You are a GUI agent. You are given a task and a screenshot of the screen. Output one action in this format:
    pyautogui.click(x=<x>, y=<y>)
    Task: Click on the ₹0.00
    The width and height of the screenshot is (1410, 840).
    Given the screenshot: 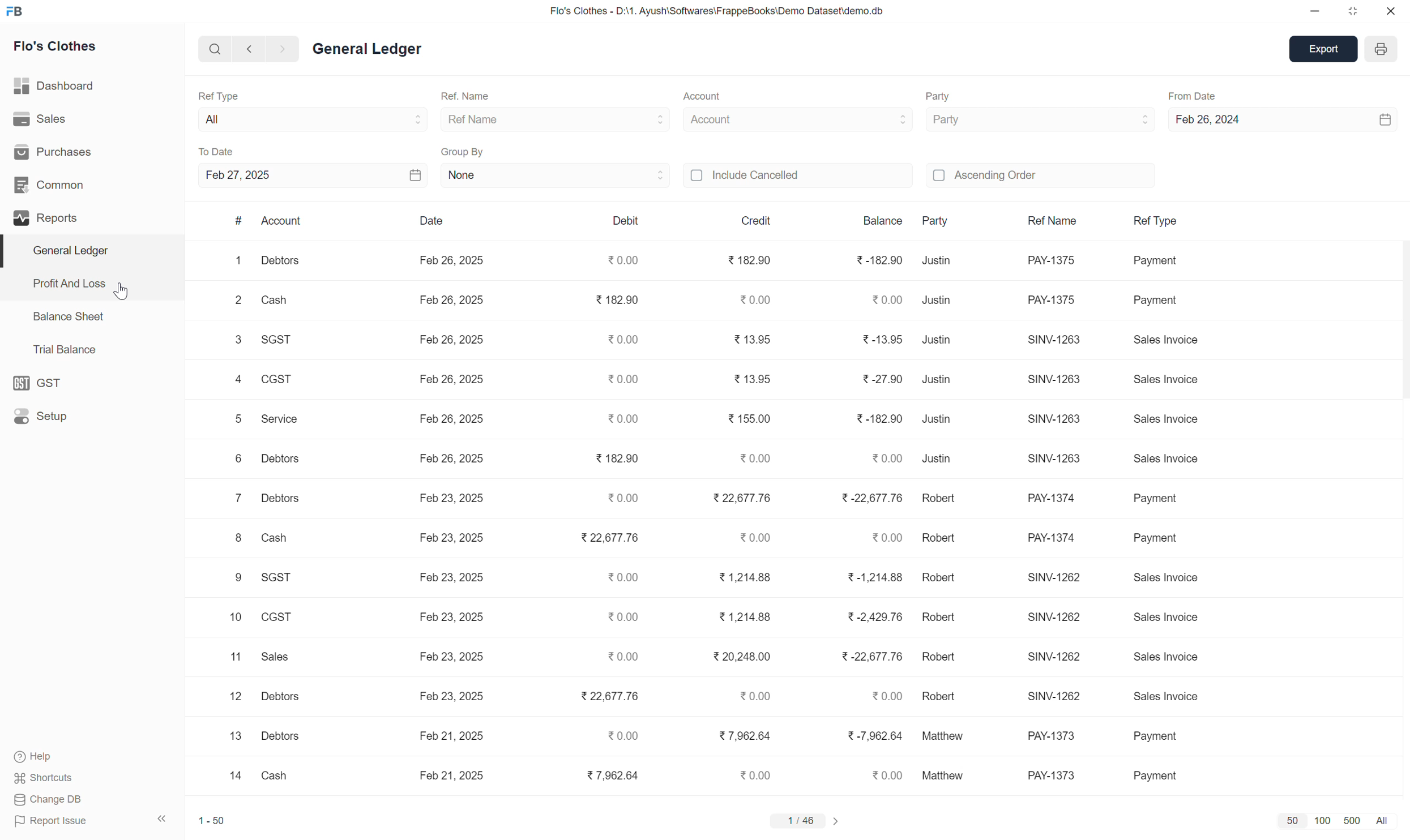 What is the action you would take?
    pyautogui.click(x=616, y=736)
    